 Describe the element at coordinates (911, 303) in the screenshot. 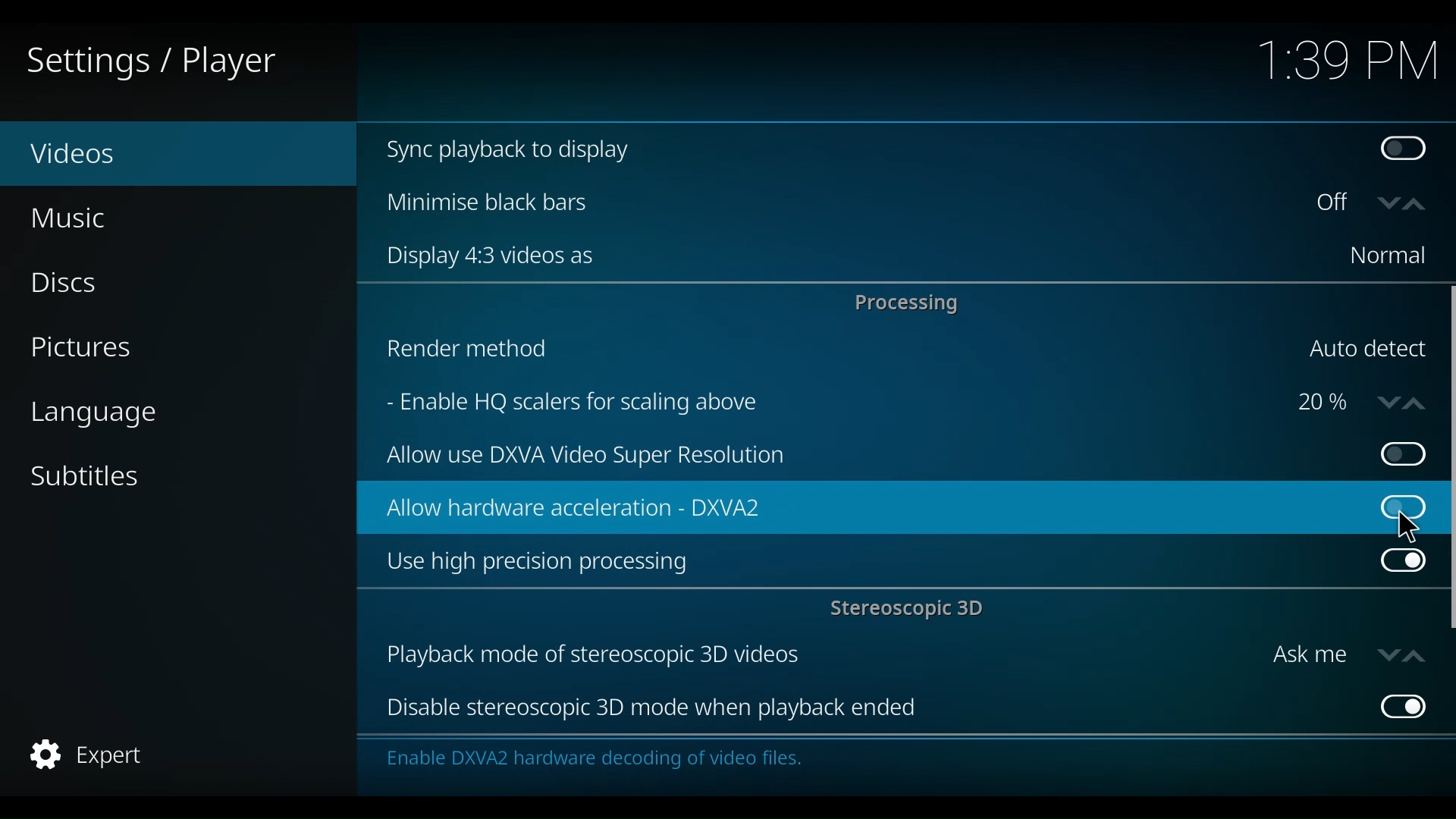

I see `Processing` at that location.